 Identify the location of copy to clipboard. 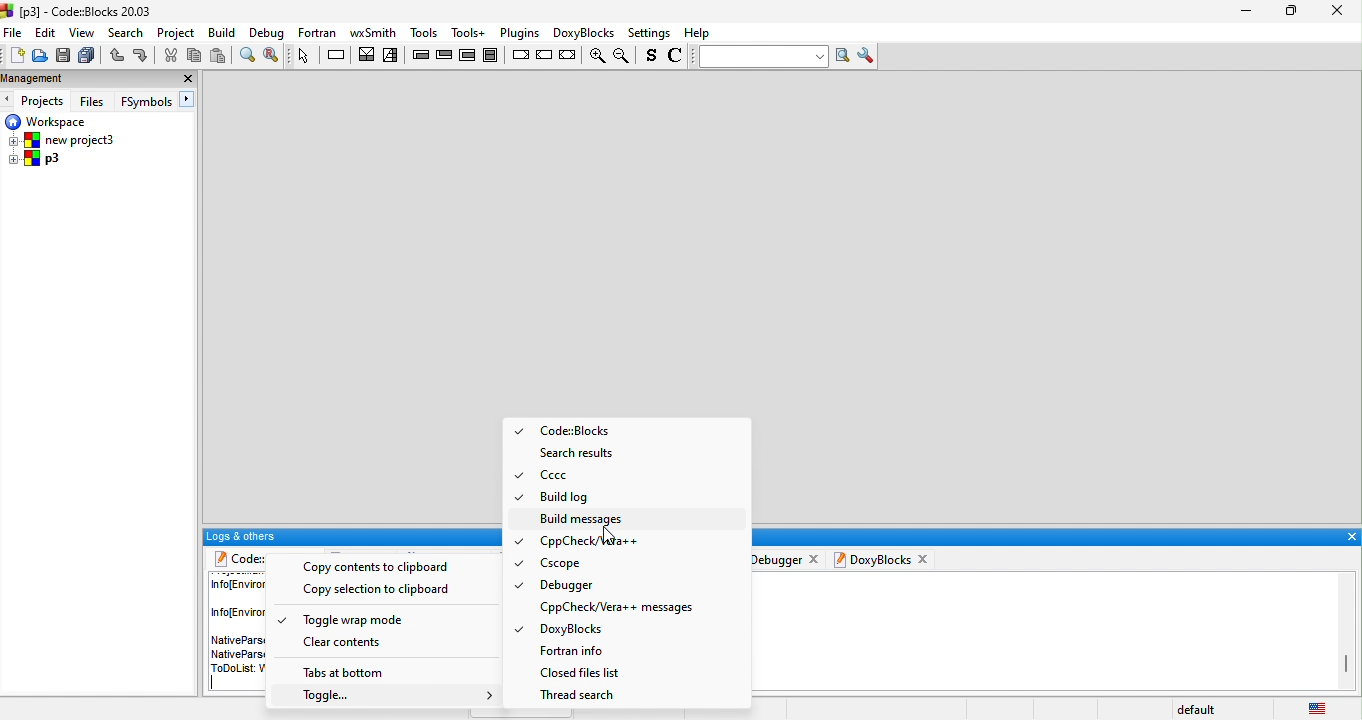
(380, 567).